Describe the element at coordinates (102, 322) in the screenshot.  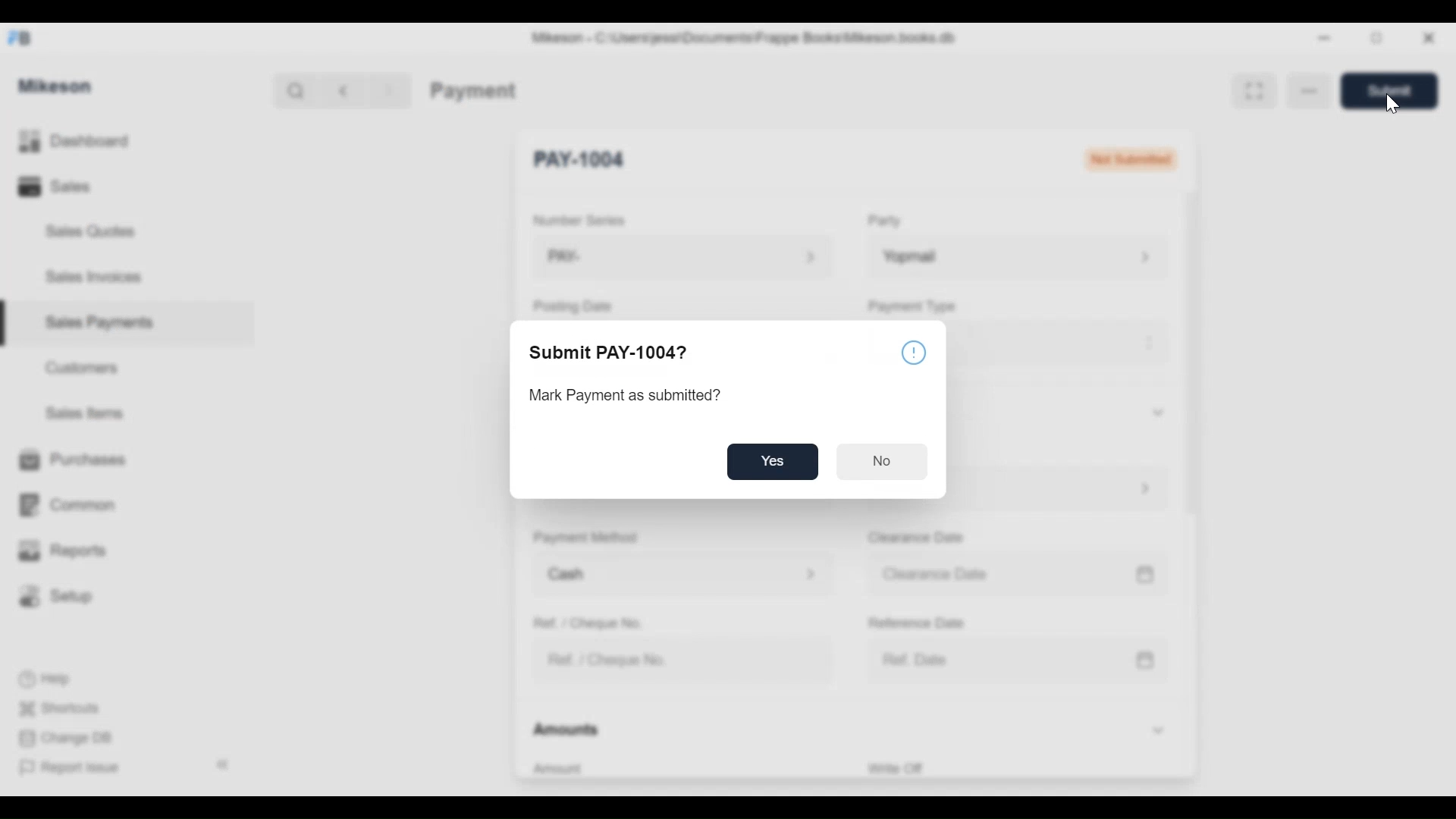
I see `Sales payments` at that location.